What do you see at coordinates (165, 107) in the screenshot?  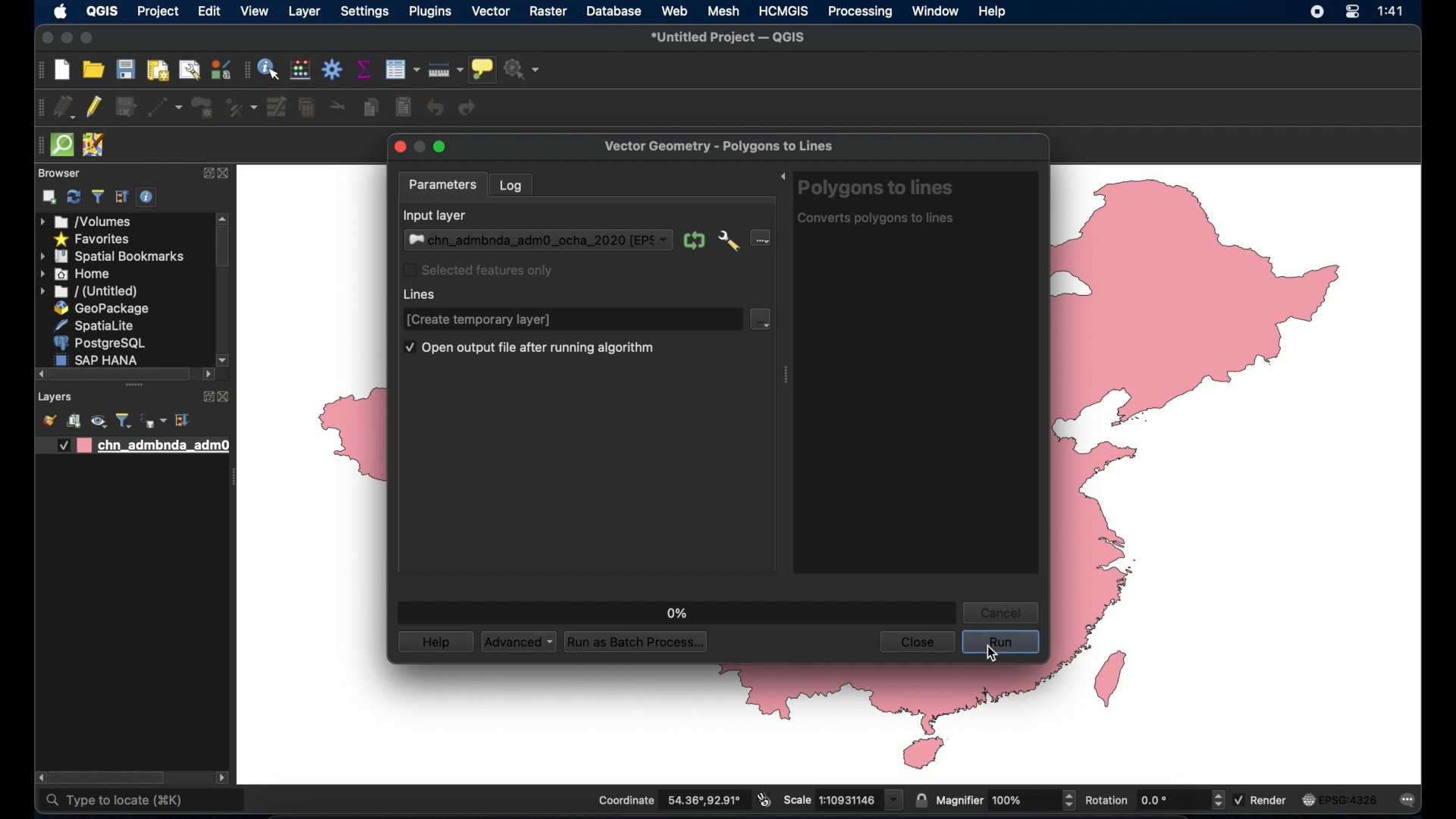 I see `digitize with segment` at bounding box center [165, 107].